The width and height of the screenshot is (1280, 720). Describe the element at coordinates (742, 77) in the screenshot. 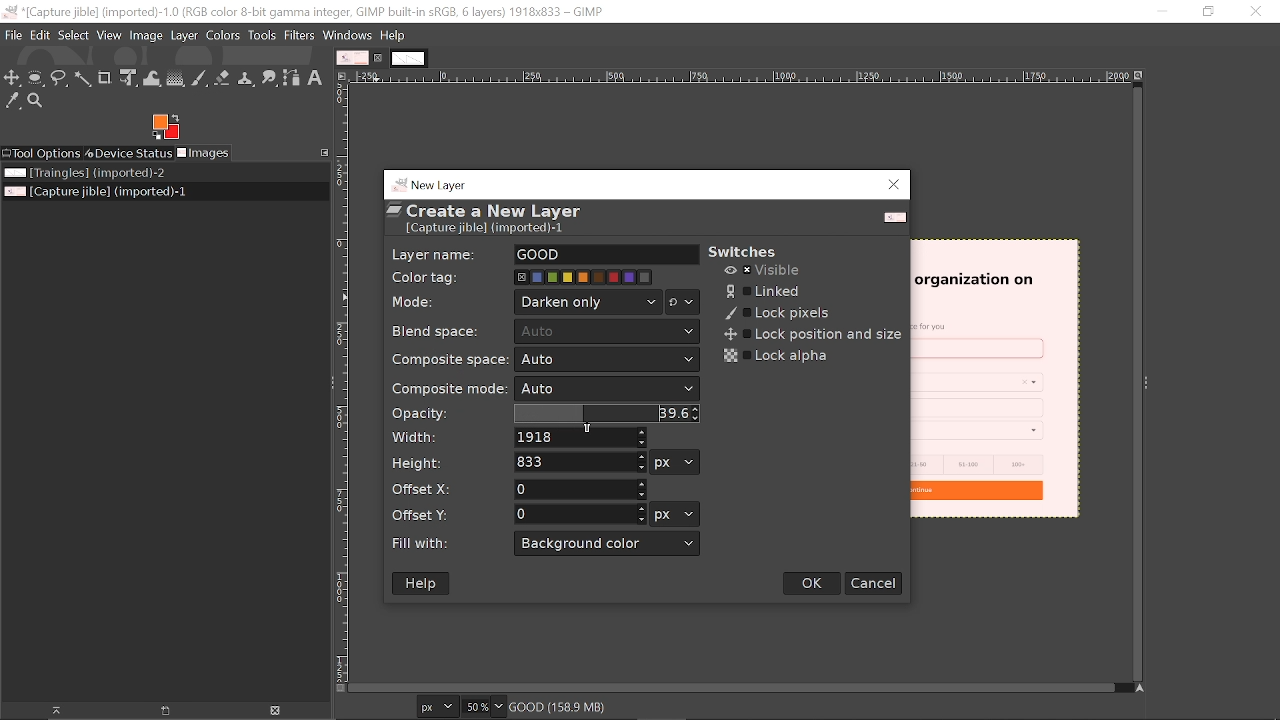

I see `Horizontal label` at that location.